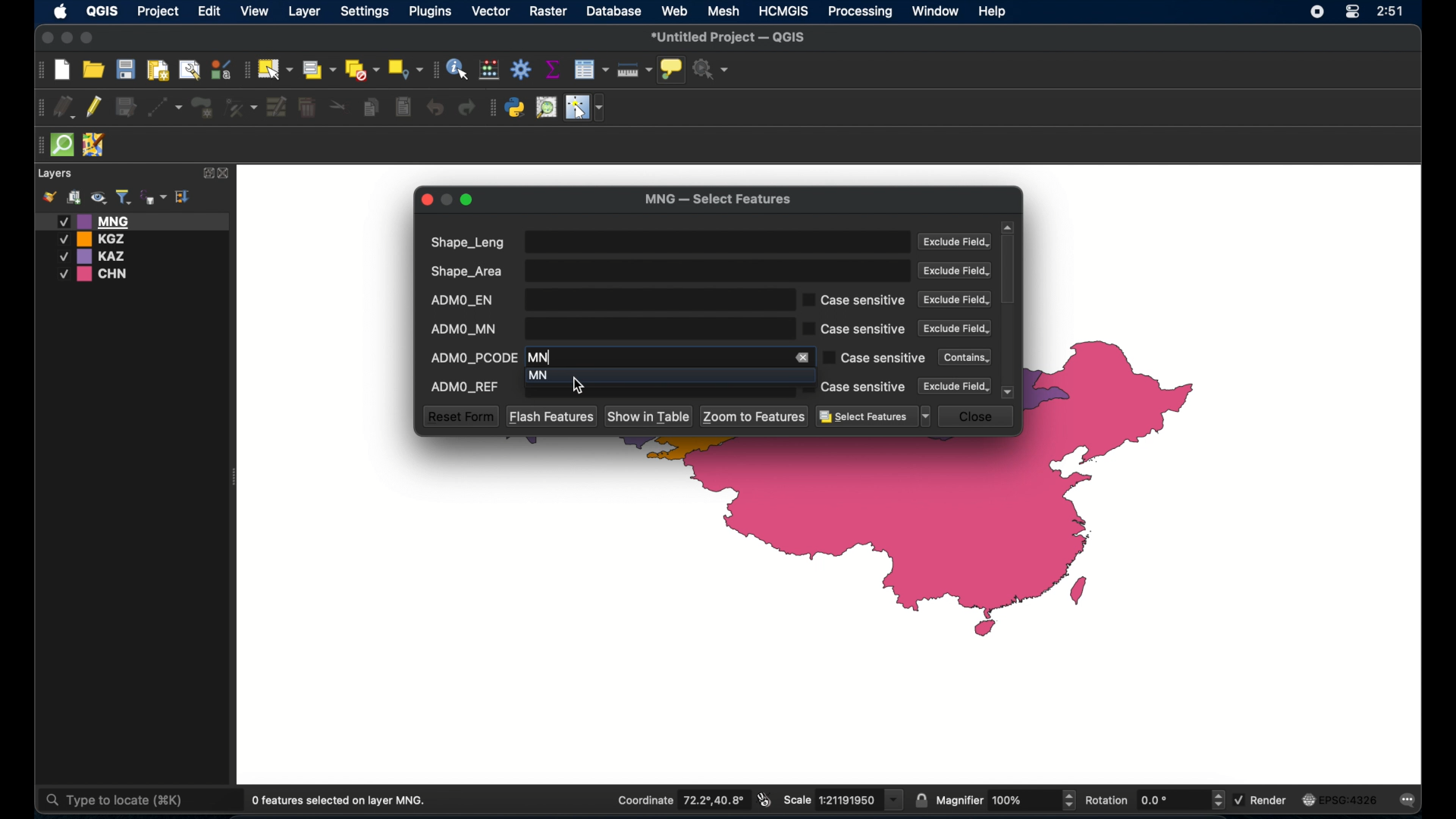  What do you see at coordinates (133, 221) in the screenshot?
I see `MNG` at bounding box center [133, 221].